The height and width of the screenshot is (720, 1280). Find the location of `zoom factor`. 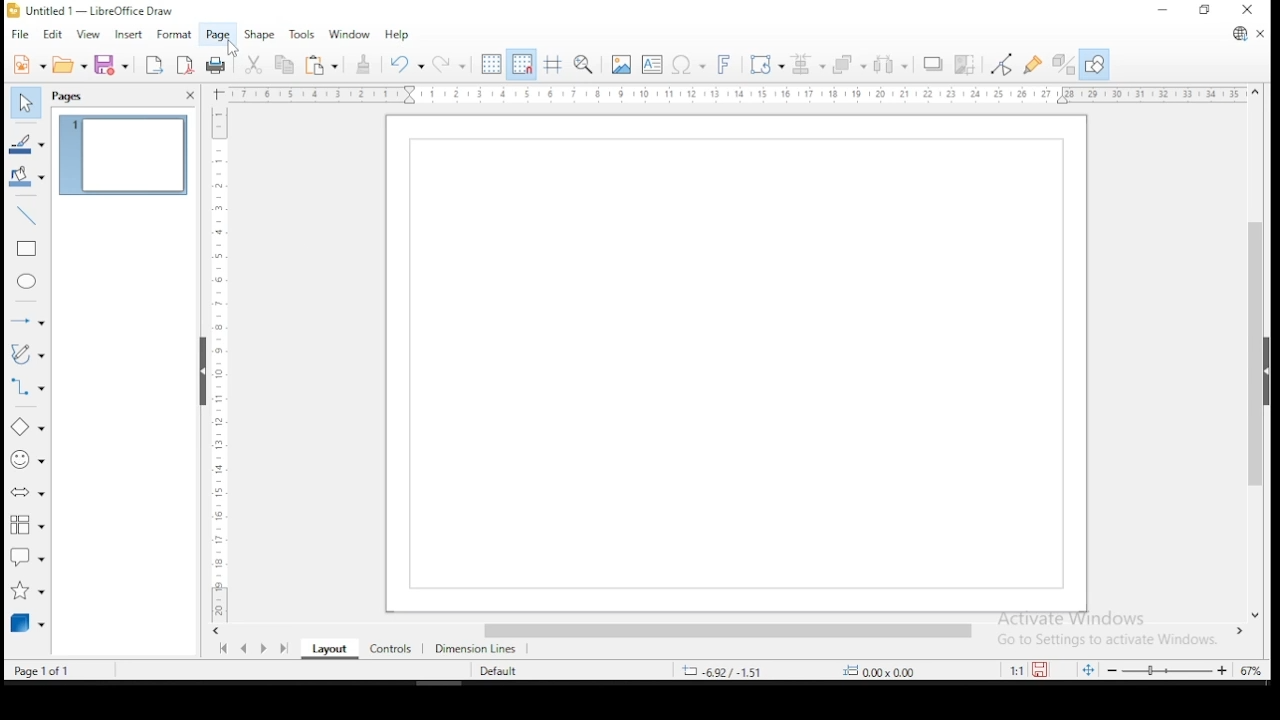

zoom factor is located at coordinates (1252, 669).